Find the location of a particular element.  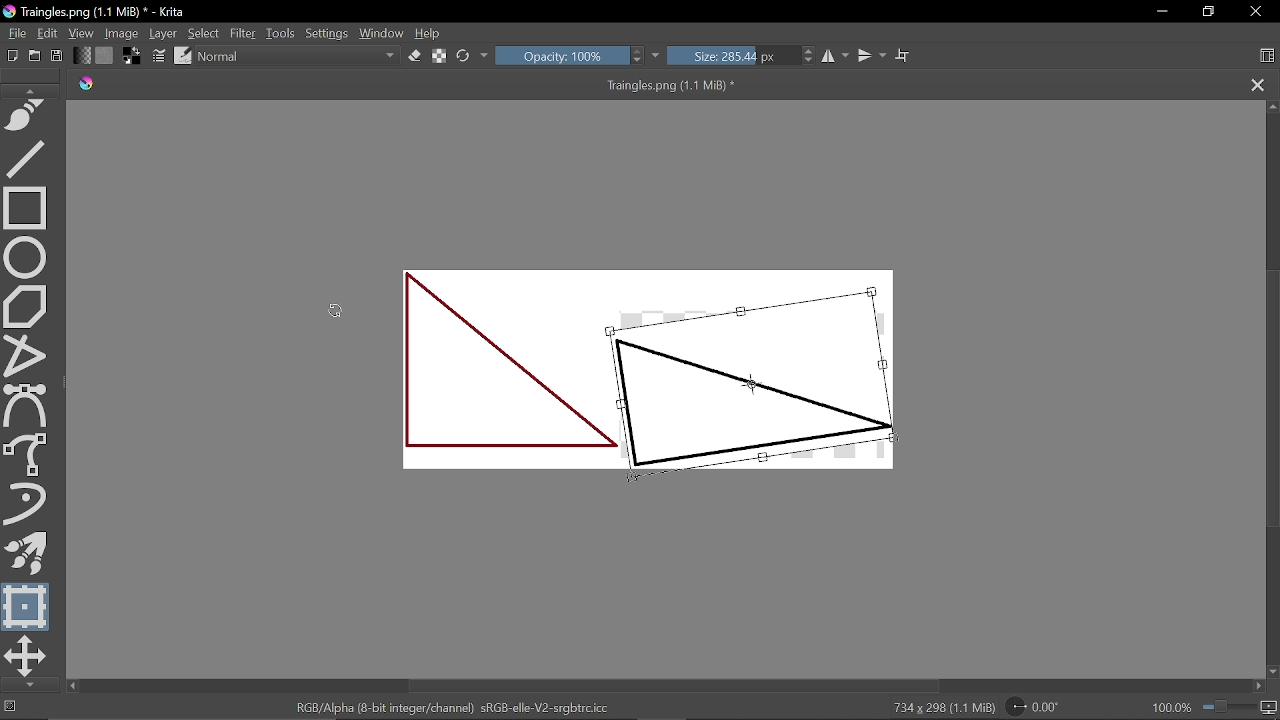

Move down in tools is located at coordinates (26, 685).